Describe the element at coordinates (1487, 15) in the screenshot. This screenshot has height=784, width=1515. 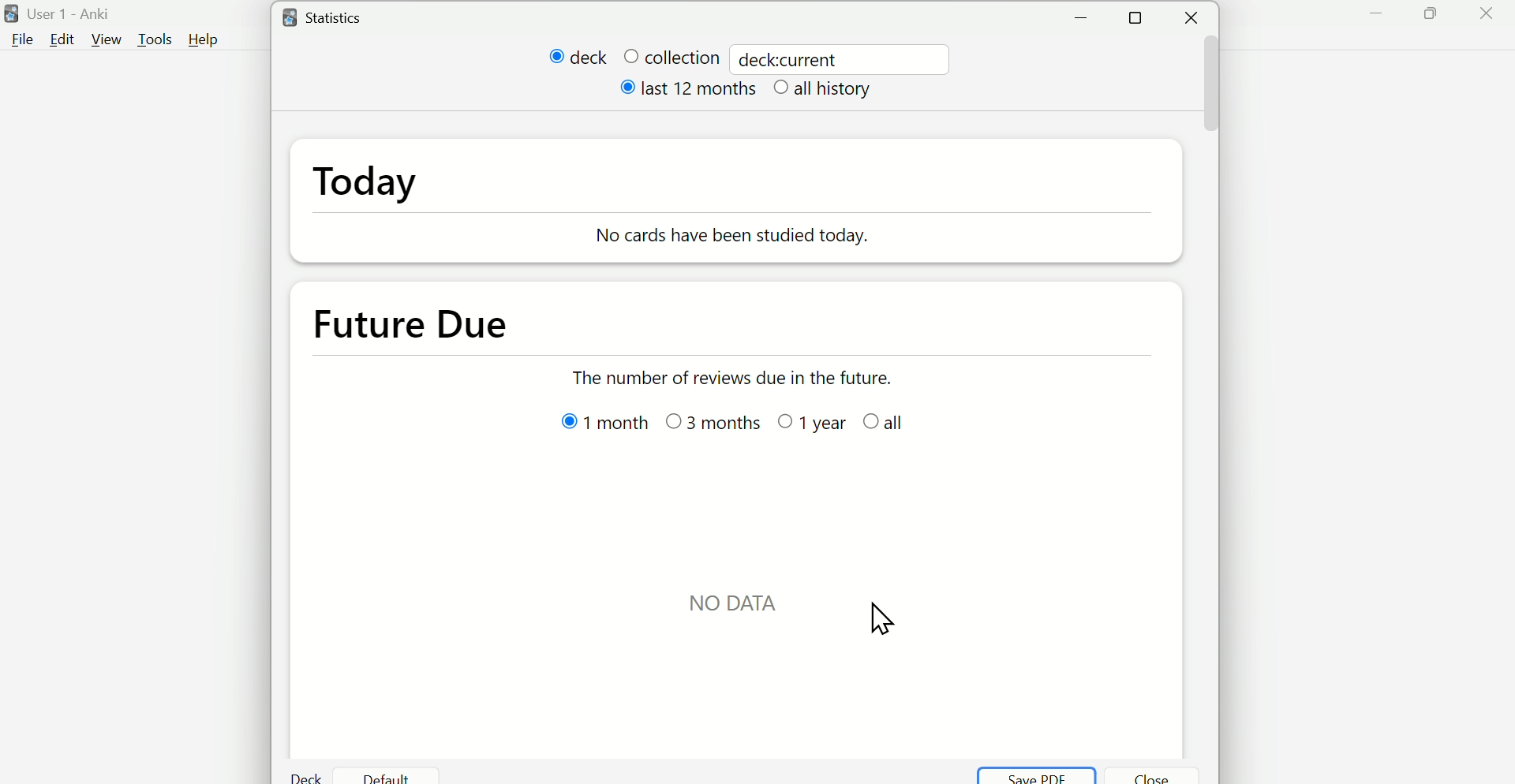
I see `Close` at that location.